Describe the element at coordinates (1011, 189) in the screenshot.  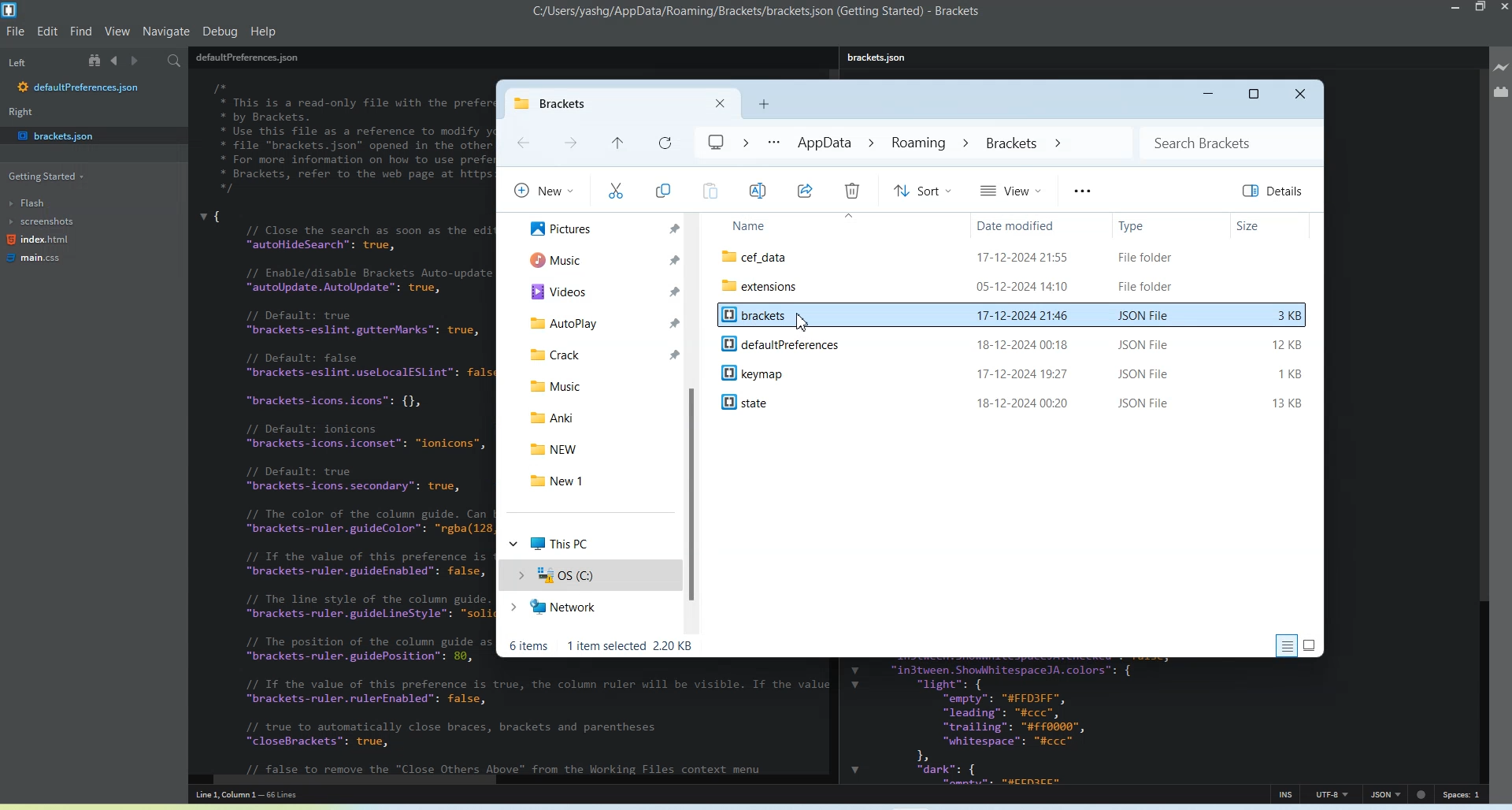
I see `View` at that location.